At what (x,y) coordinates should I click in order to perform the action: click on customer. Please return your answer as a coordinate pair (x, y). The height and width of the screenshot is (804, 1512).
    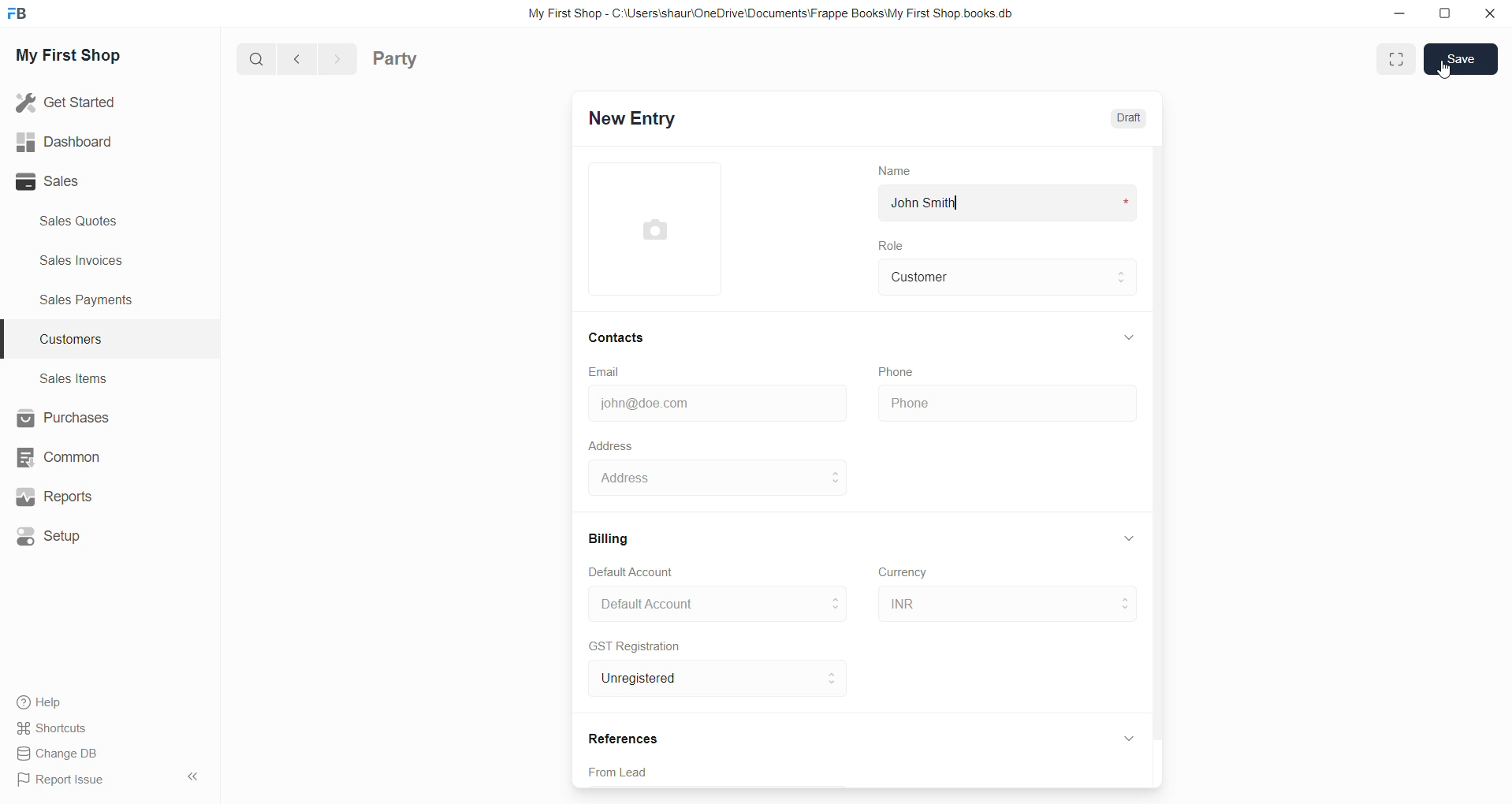
    Looking at the image, I should click on (989, 277).